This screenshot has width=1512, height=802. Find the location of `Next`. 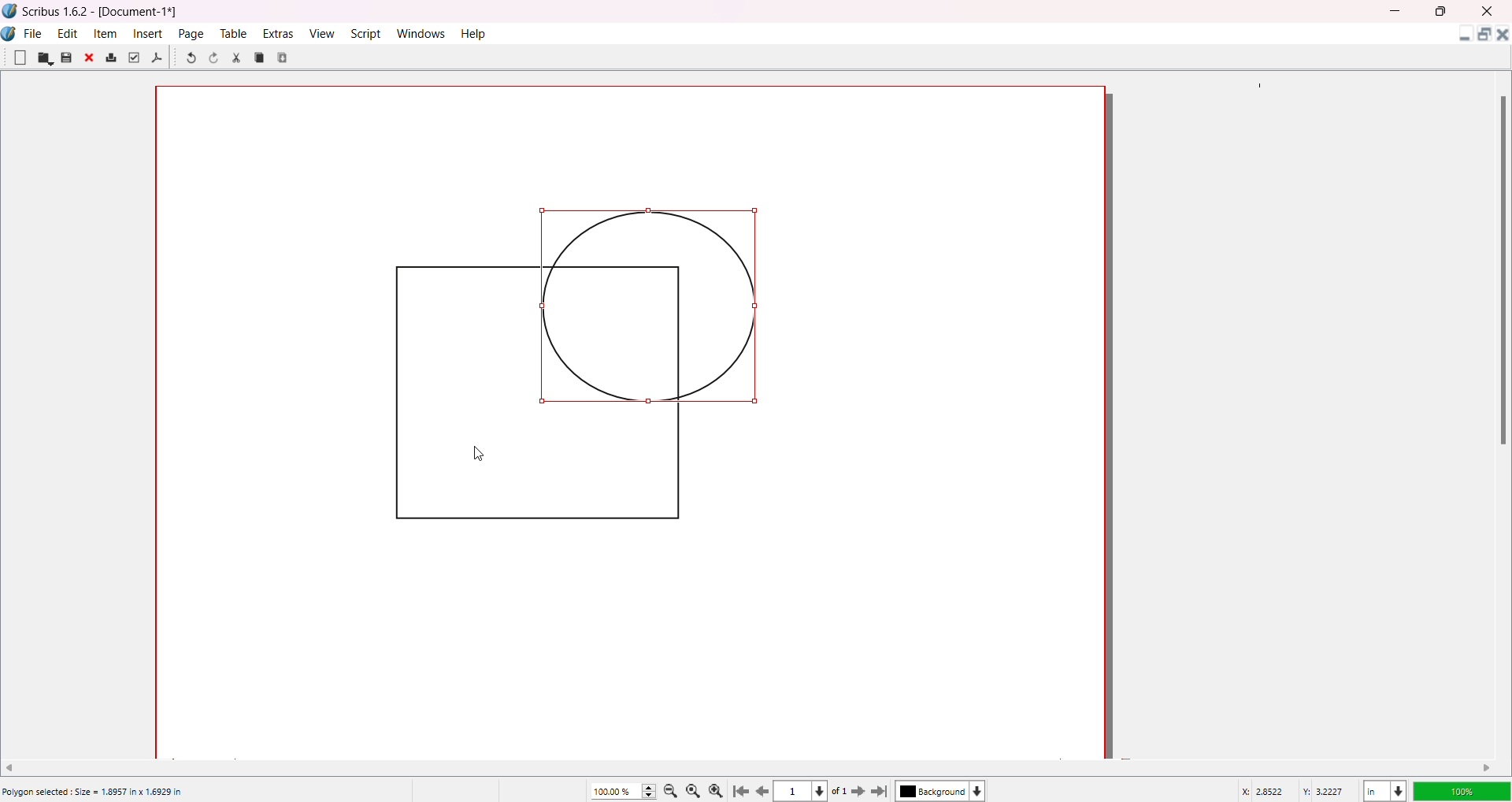

Next is located at coordinates (862, 790).